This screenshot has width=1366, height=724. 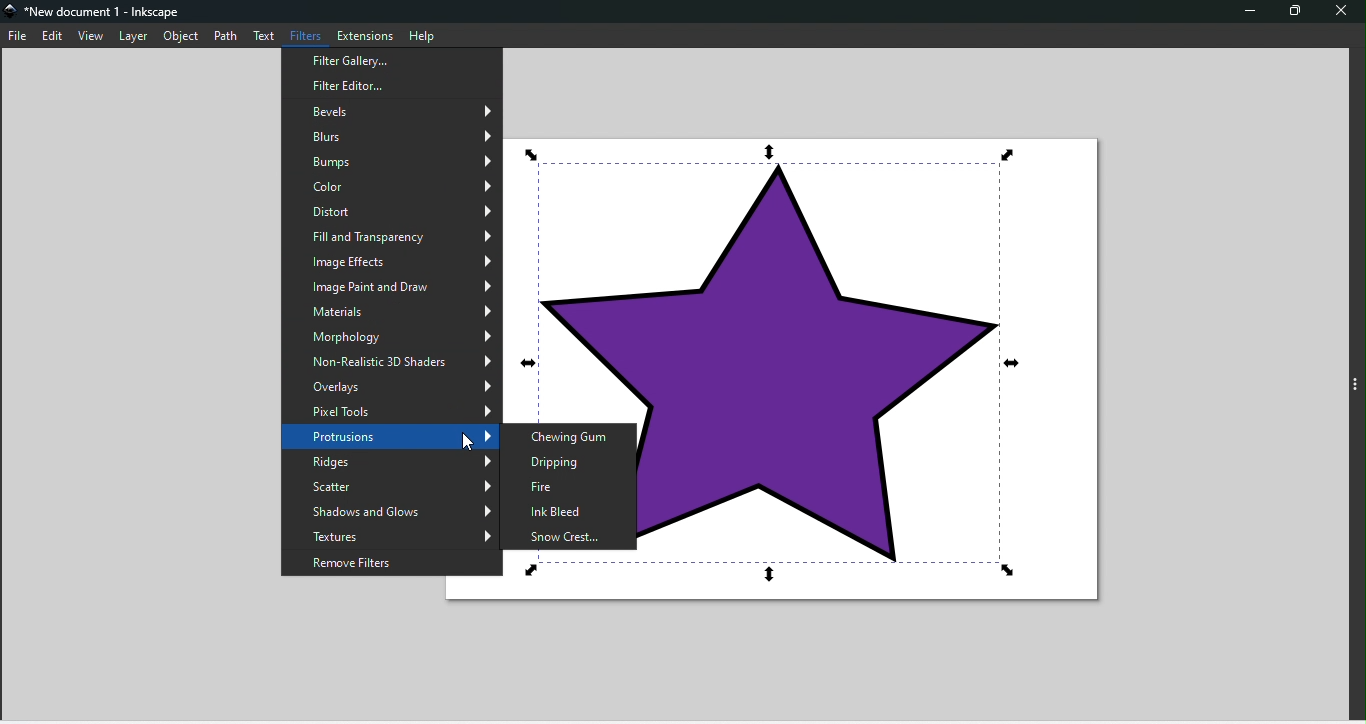 What do you see at coordinates (389, 284) in the screenshot?
I see `Image paint and draw` at bounding box center [389, 284].